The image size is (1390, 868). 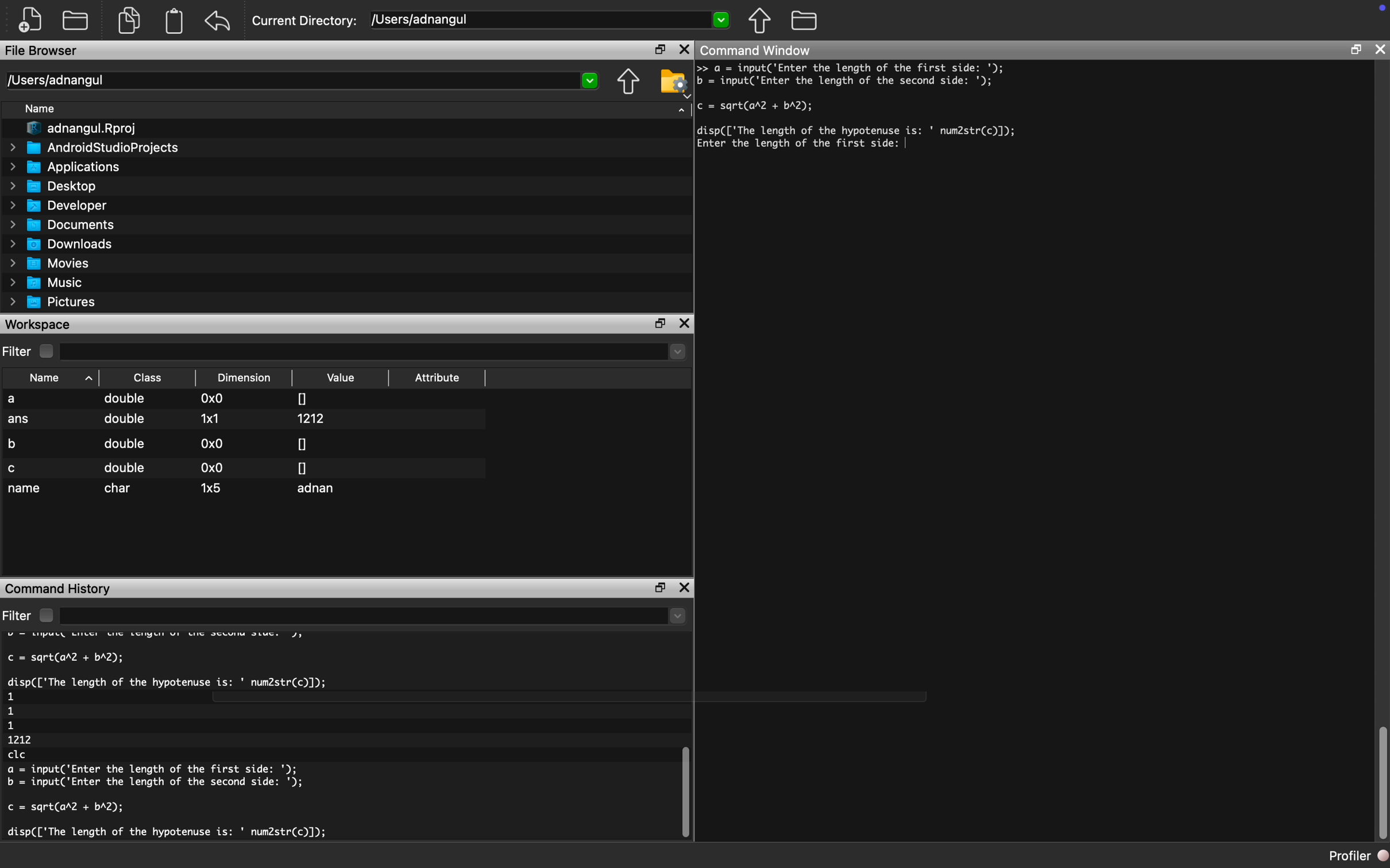 What do you see at coordinates (43, 52) in the screenshot?
I see `File Browser` at bounding box center [43, 52].